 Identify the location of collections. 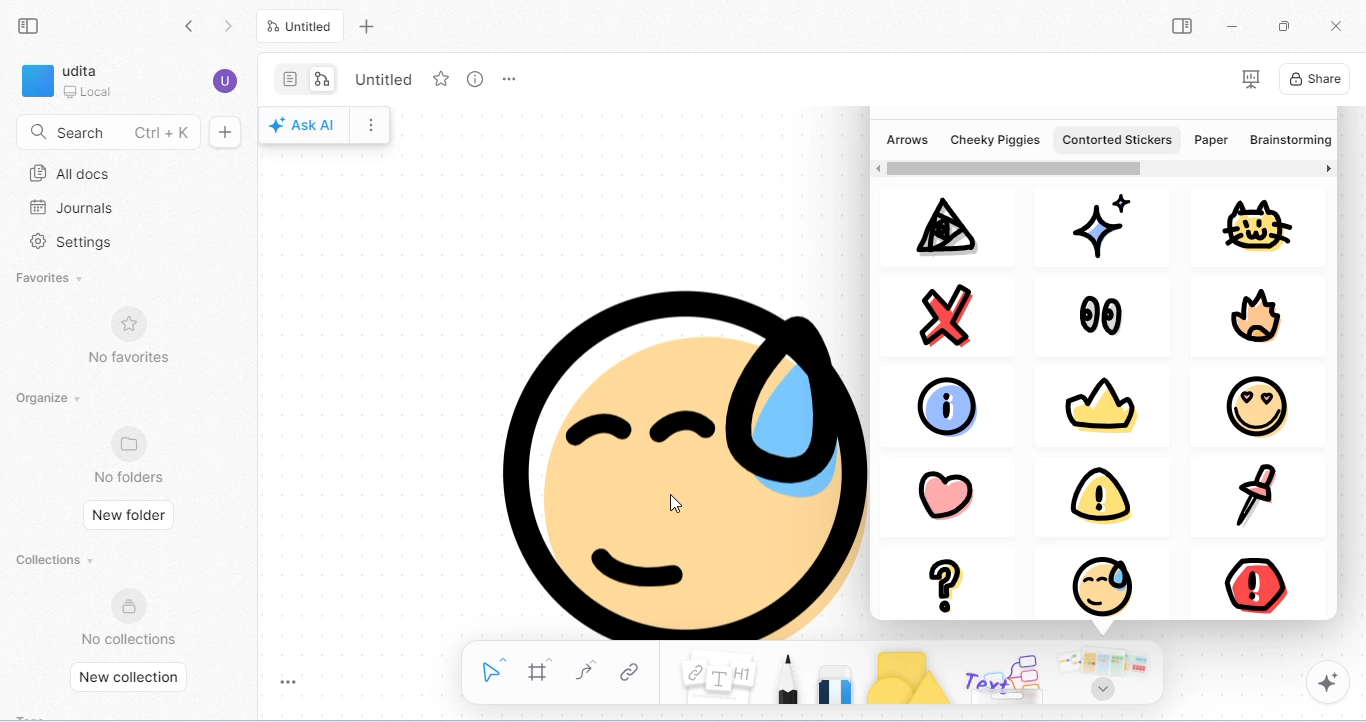
(57, 559).